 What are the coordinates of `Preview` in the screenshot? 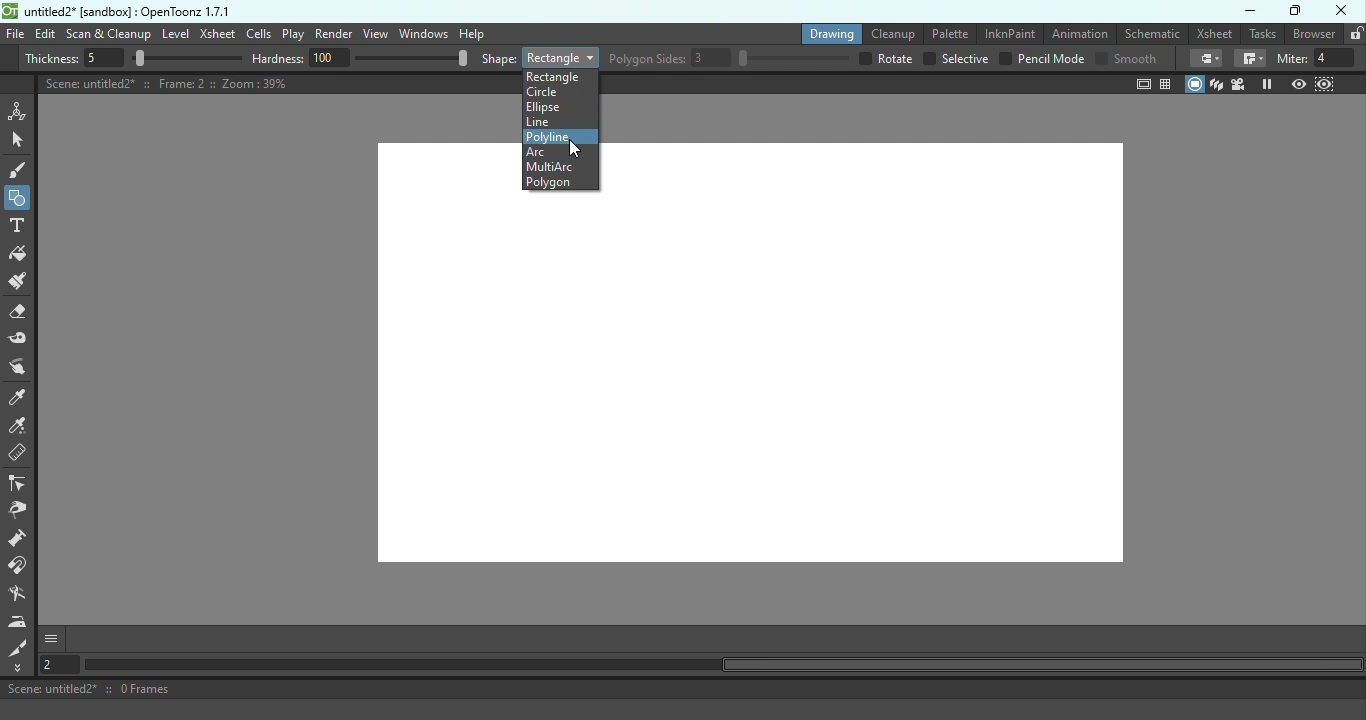 It's located at (1300, 82).